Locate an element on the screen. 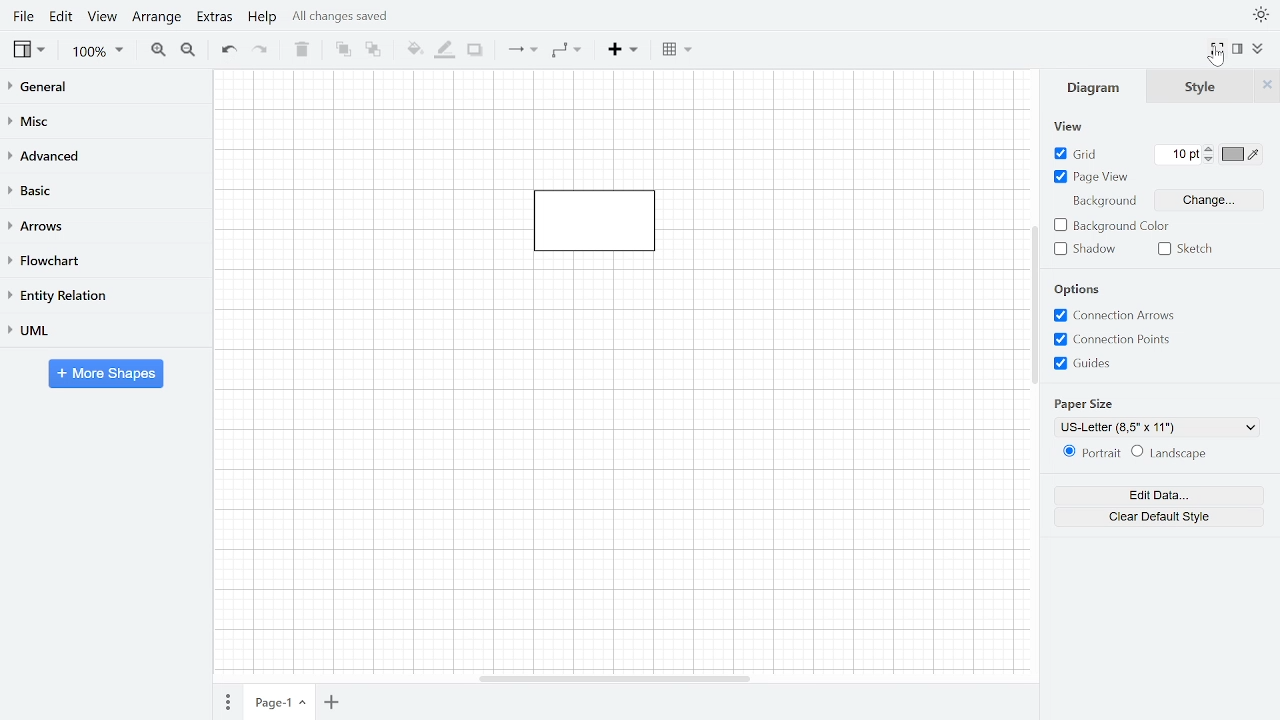  Misc is located at coordinates (105, 123).